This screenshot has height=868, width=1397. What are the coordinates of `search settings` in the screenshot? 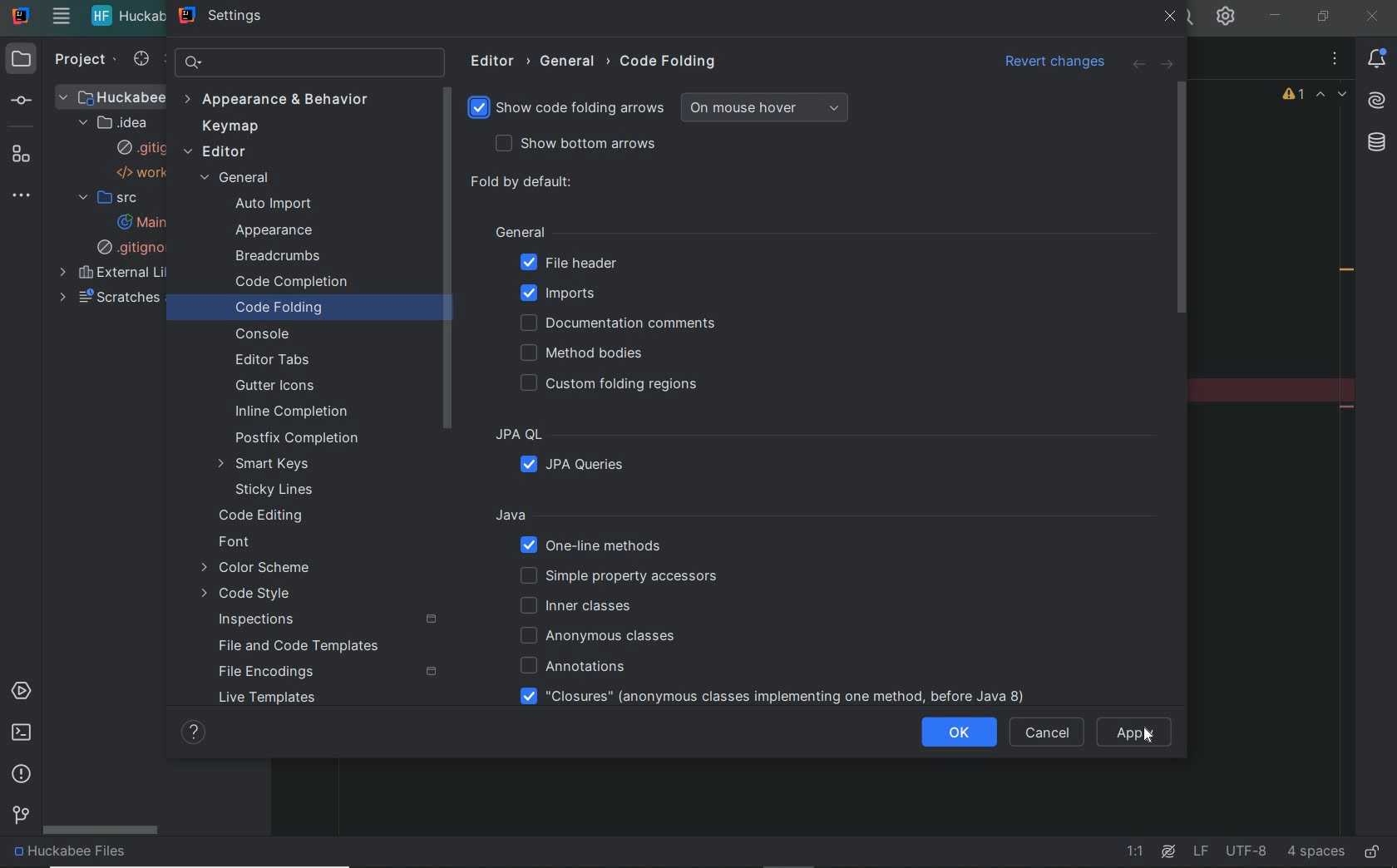 It's located at (311, 62).